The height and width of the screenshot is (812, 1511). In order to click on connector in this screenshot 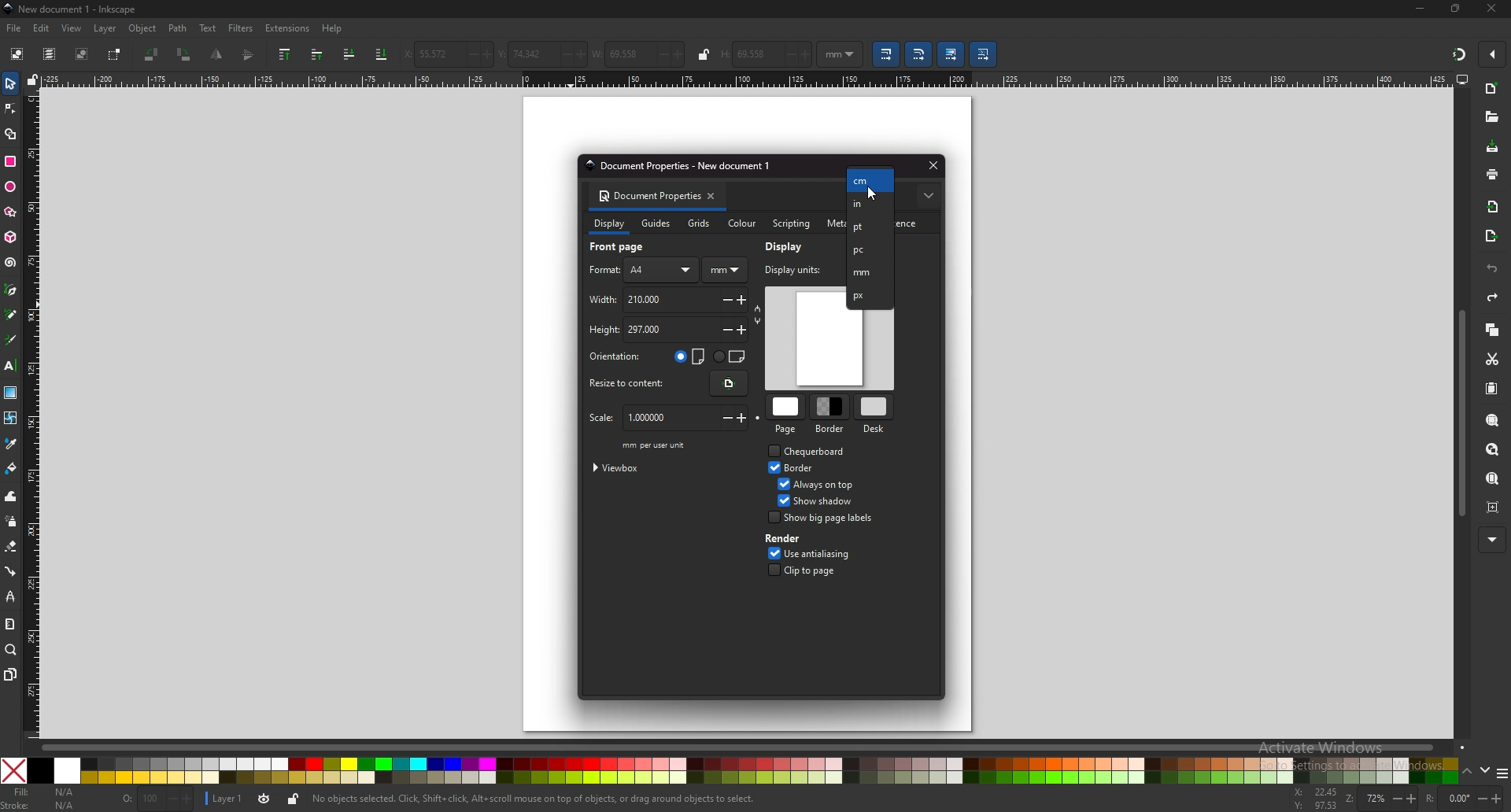, I will do `click(10, 570)`.